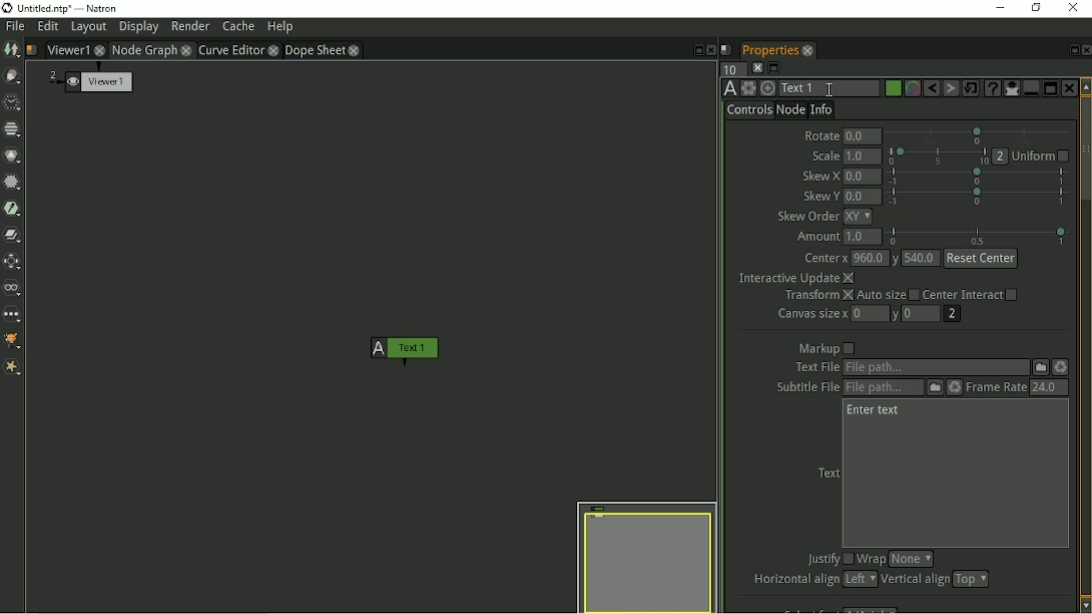 The image size is (1092, 614). I want to click on Time, so click(12, 103).